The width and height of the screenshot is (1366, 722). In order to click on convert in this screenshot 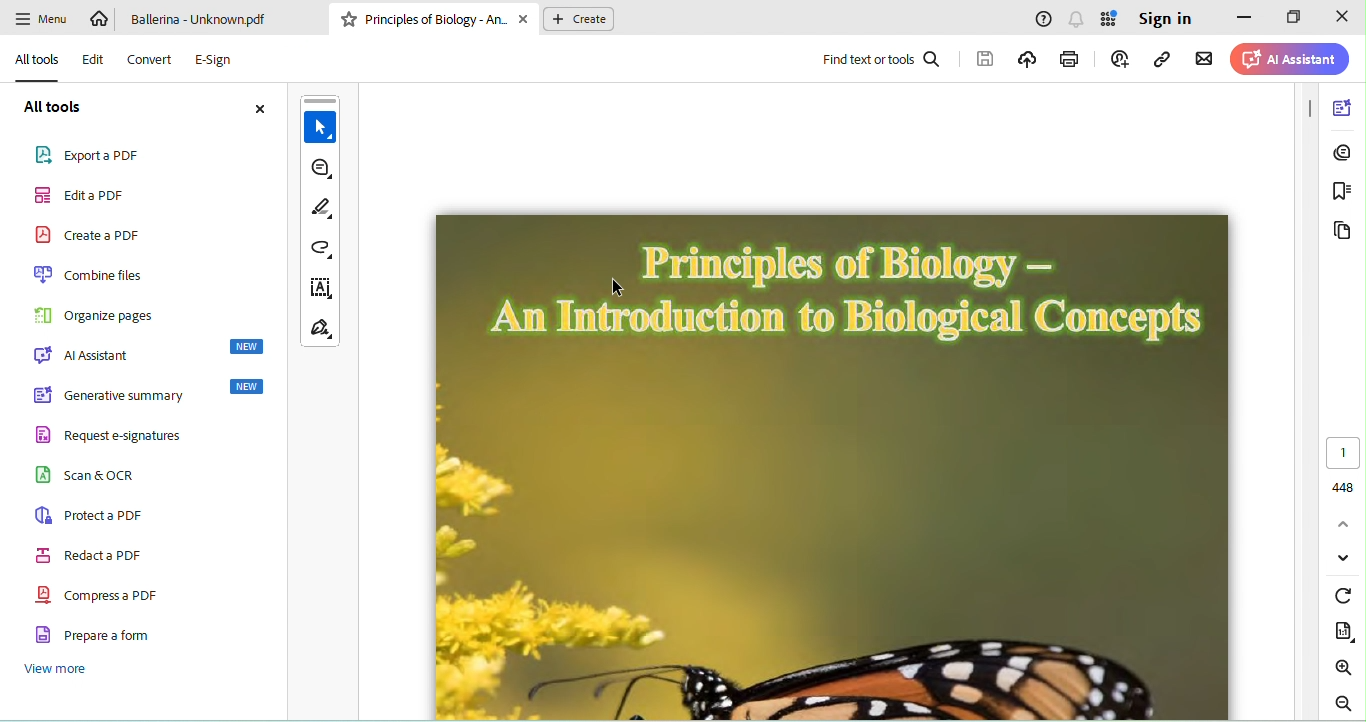, I will do `click(150, 59)`.